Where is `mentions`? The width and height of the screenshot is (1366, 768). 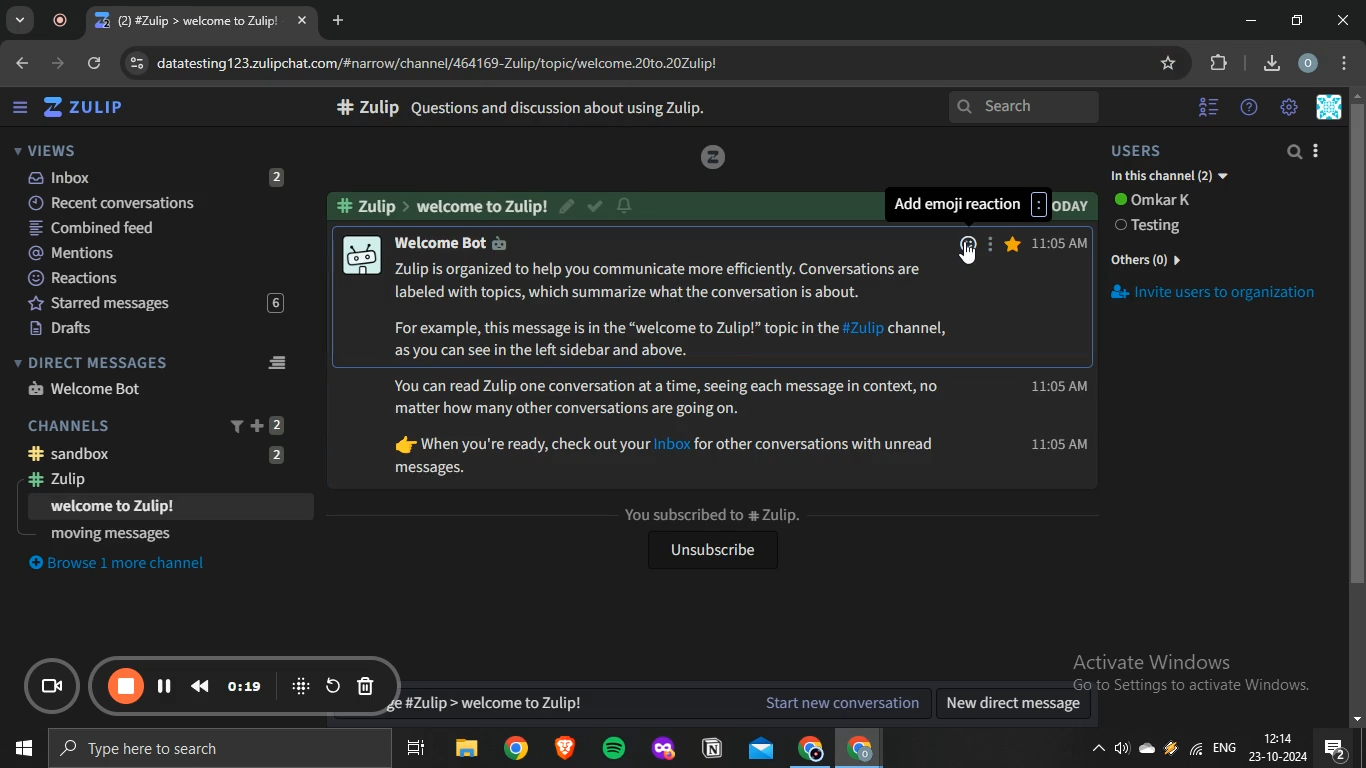 mentions is located at coordinates (155, 254).